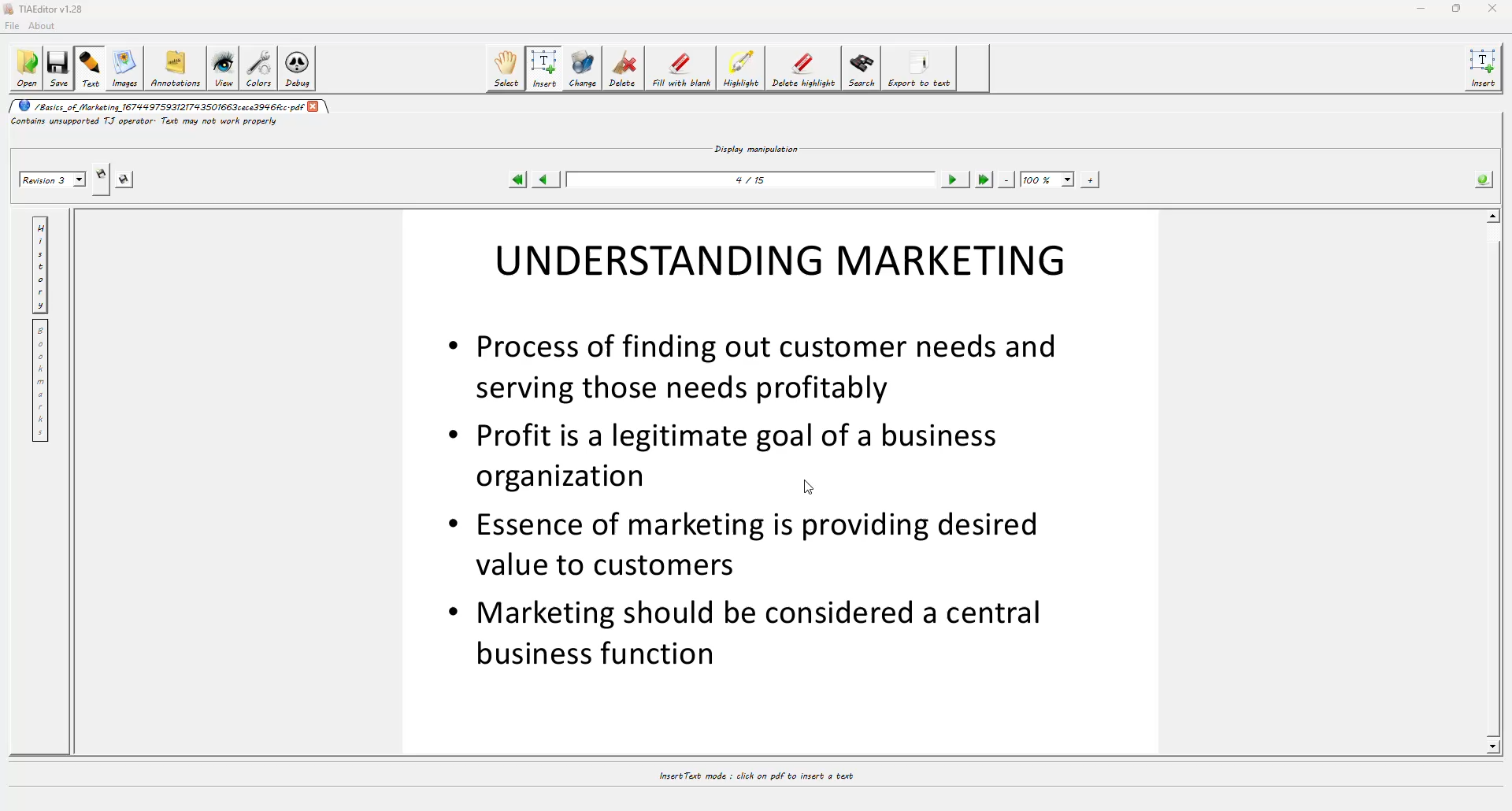 Image resolution: width=1512 pixels, height=811 pixels. What do you see at coordinates (805, 69) in the screenshot?
I see `delete highlight` at bounding box center [805, 69].